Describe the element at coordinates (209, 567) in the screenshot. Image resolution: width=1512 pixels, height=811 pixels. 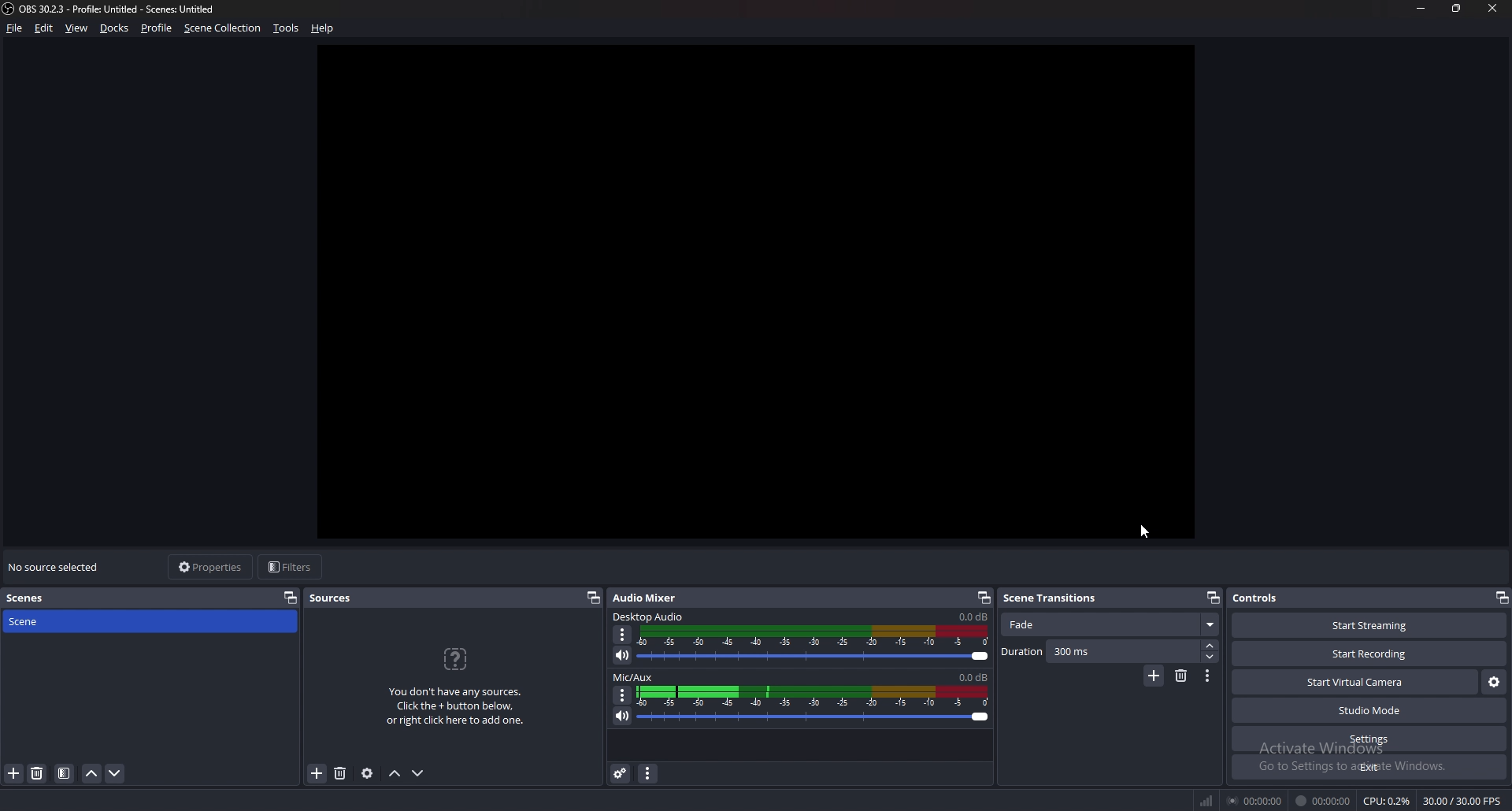
I see `properties` at that location.